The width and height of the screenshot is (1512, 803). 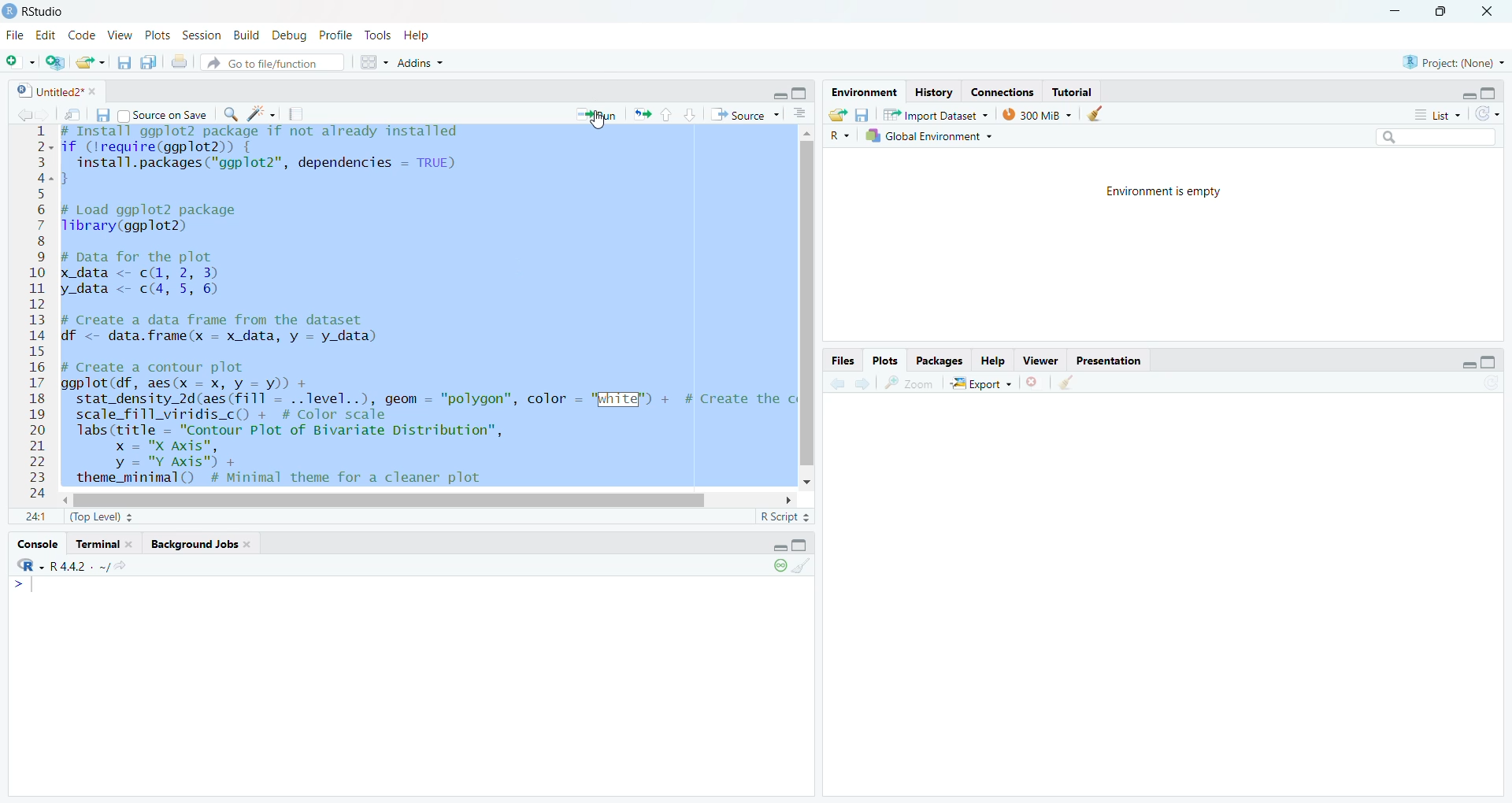 What do you see at coordinates (245, 35) in the screenshot?
I see `Build` at bounding box center [245, 35].